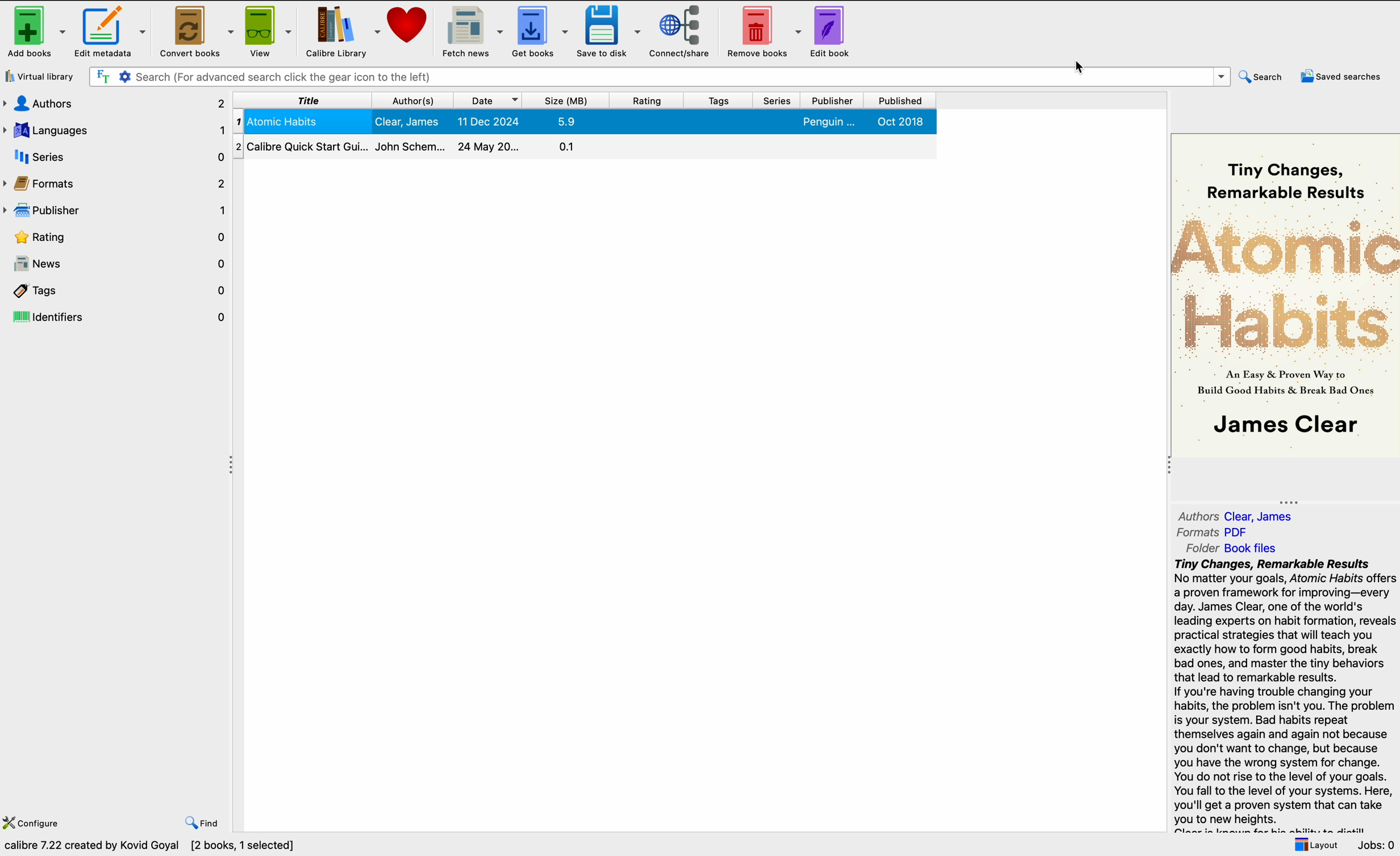 The height and width of the screenshot is (856, 1400). Describe the element at coordinates (203, 824) in the screenshot. I see `find` at that location.